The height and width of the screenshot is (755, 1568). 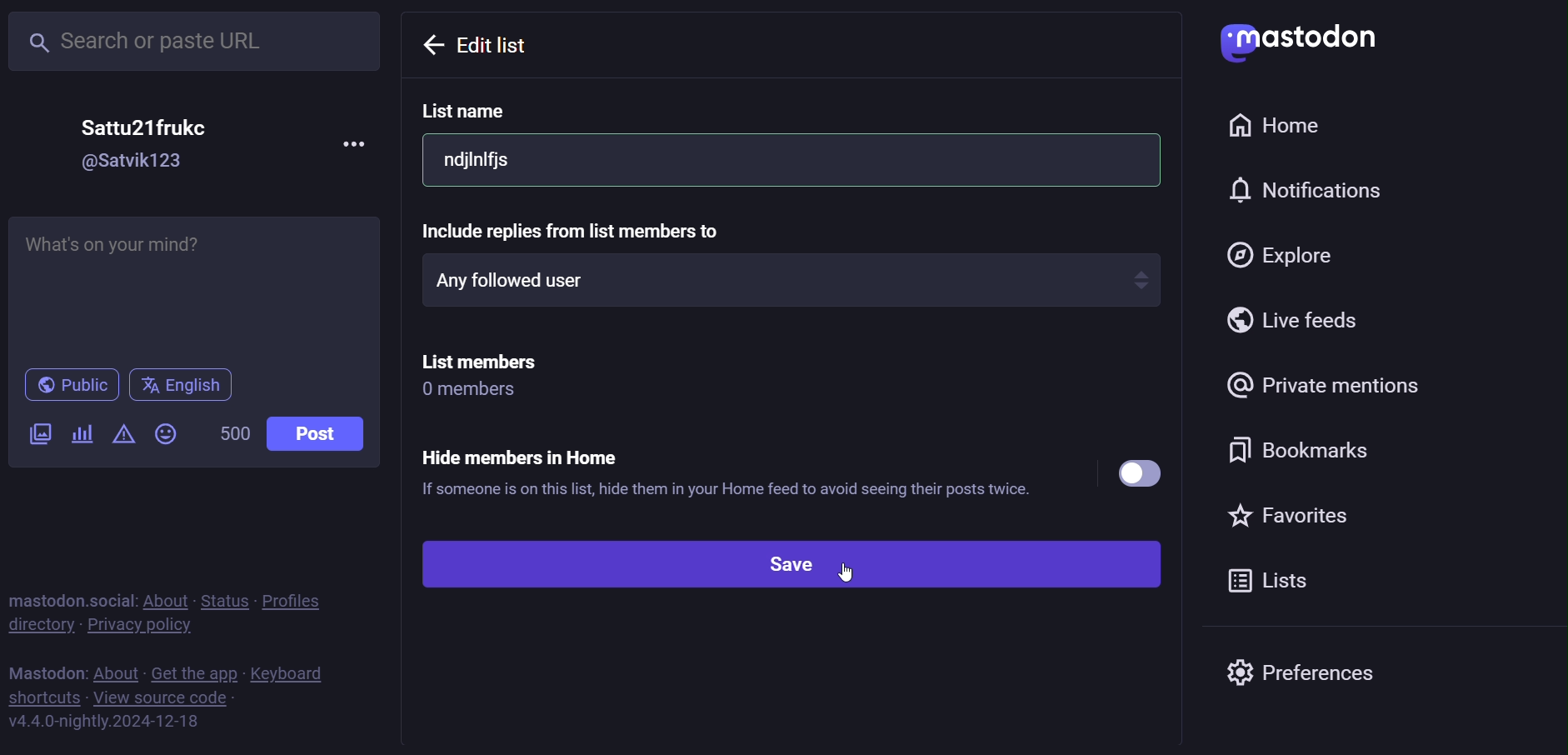 What do you see at coordinates (69, 384) in the screenshot?
I see `public` at bounding box center [69, 384].